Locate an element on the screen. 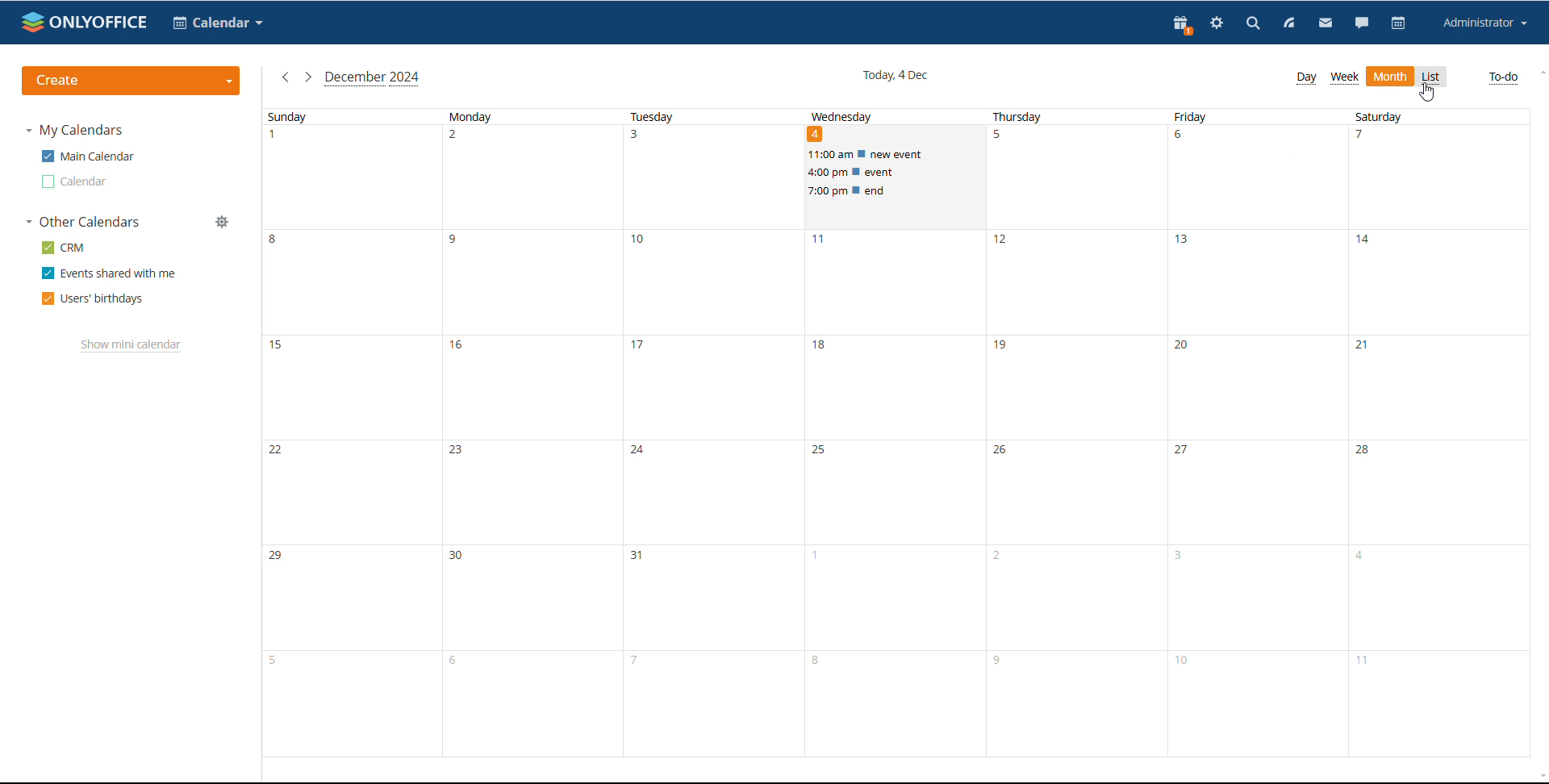 Image resolution: width=1549 pixels, height=784 pixels. settings is located at coordinates (1214, 25).